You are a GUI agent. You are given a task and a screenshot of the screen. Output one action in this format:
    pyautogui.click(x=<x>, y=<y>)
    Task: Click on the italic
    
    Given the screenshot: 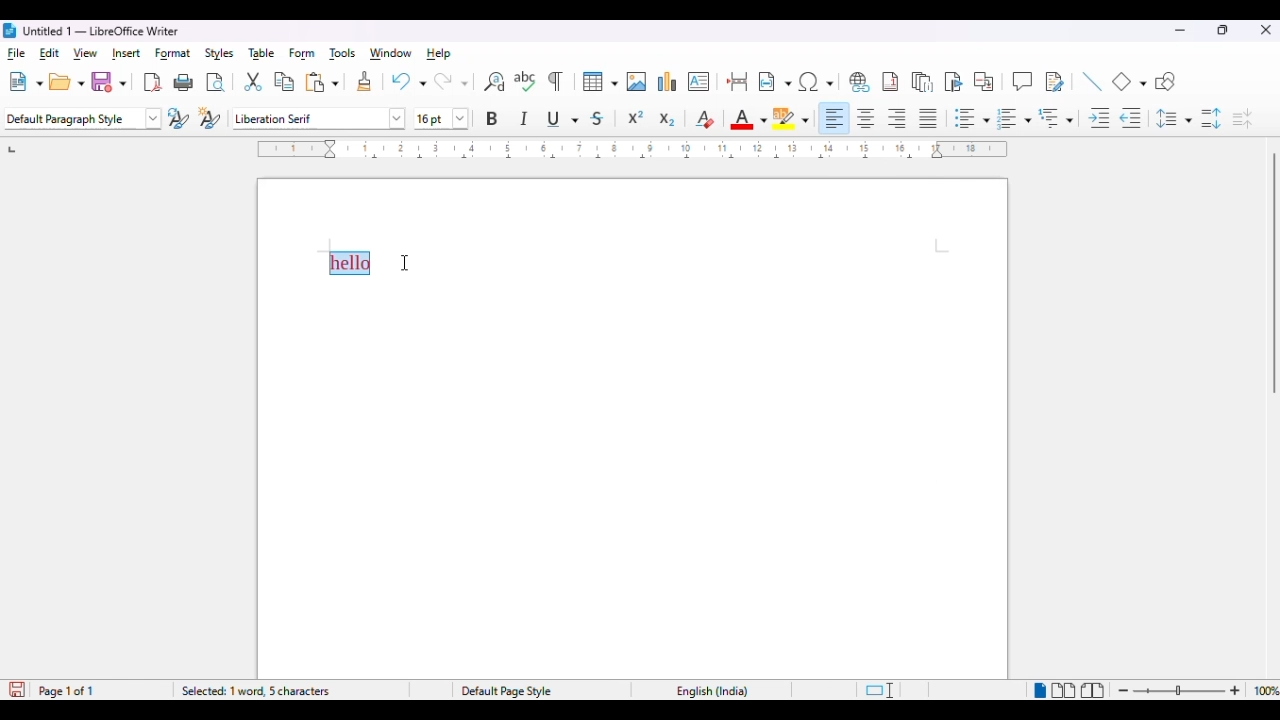 What is the action you would take?
    pyautogui.click(x=524, y=117)
    